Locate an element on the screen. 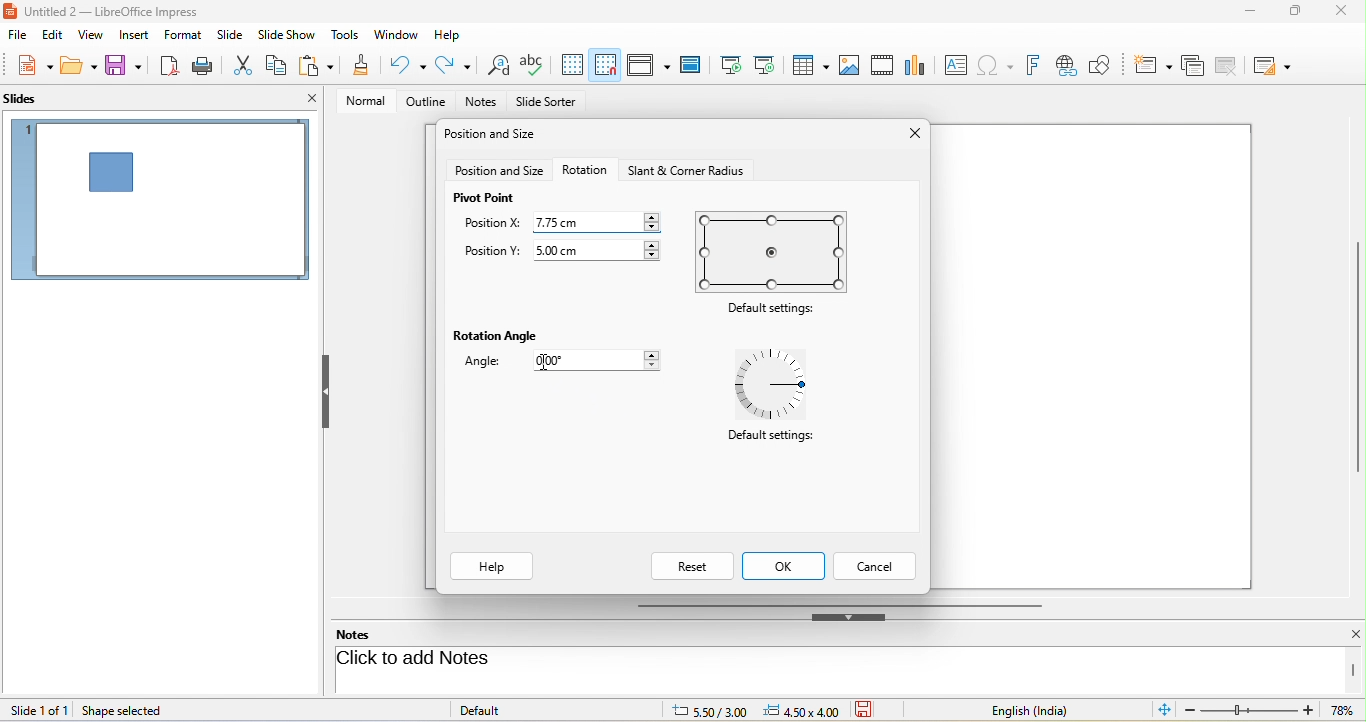  horizontal scroll bar is located at coordinates (839, 604).